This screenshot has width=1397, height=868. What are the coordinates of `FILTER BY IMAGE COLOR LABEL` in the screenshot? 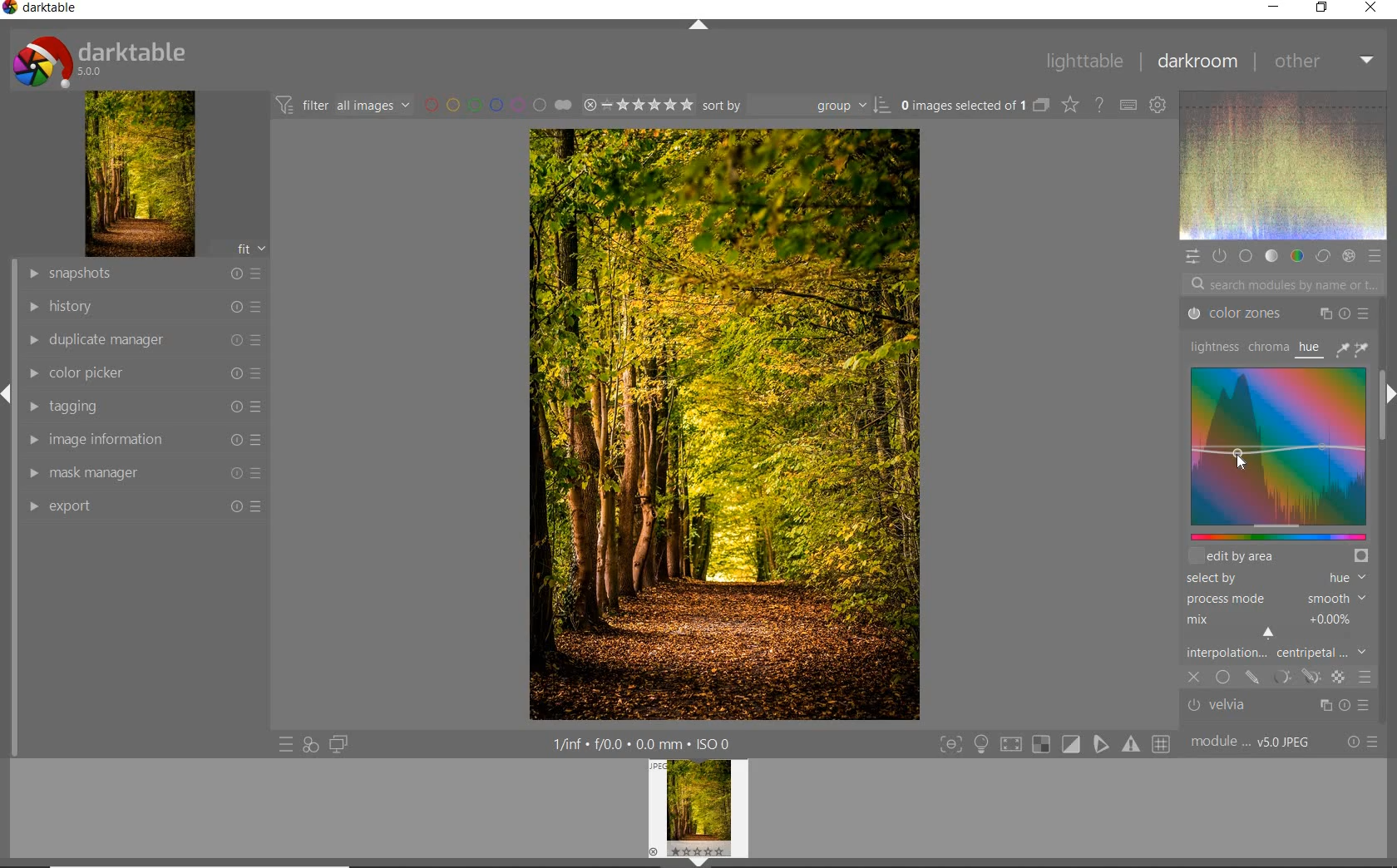 It's located at (495, 103).